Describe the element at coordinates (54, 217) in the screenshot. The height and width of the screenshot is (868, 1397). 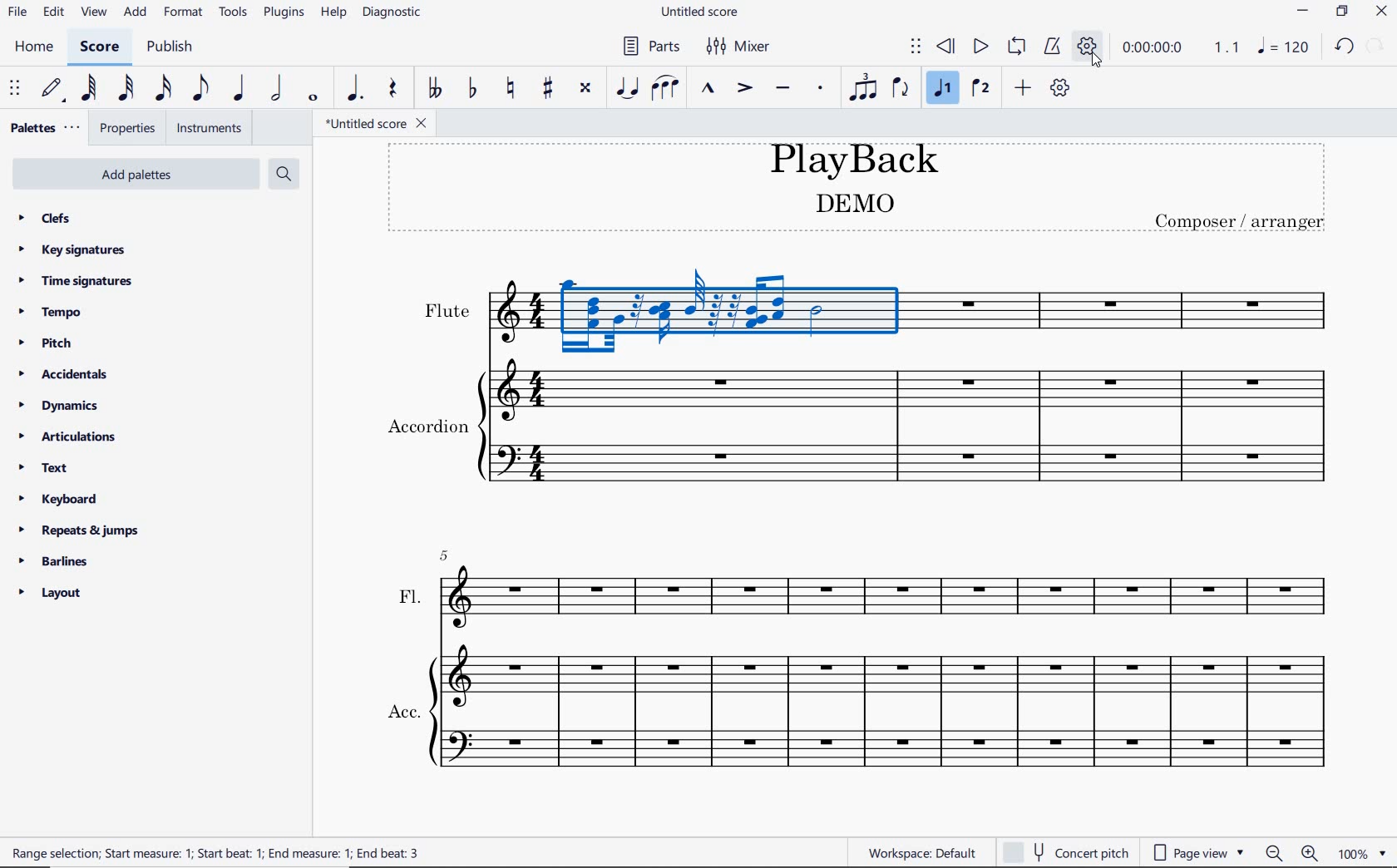
I see `clefs` at that location.